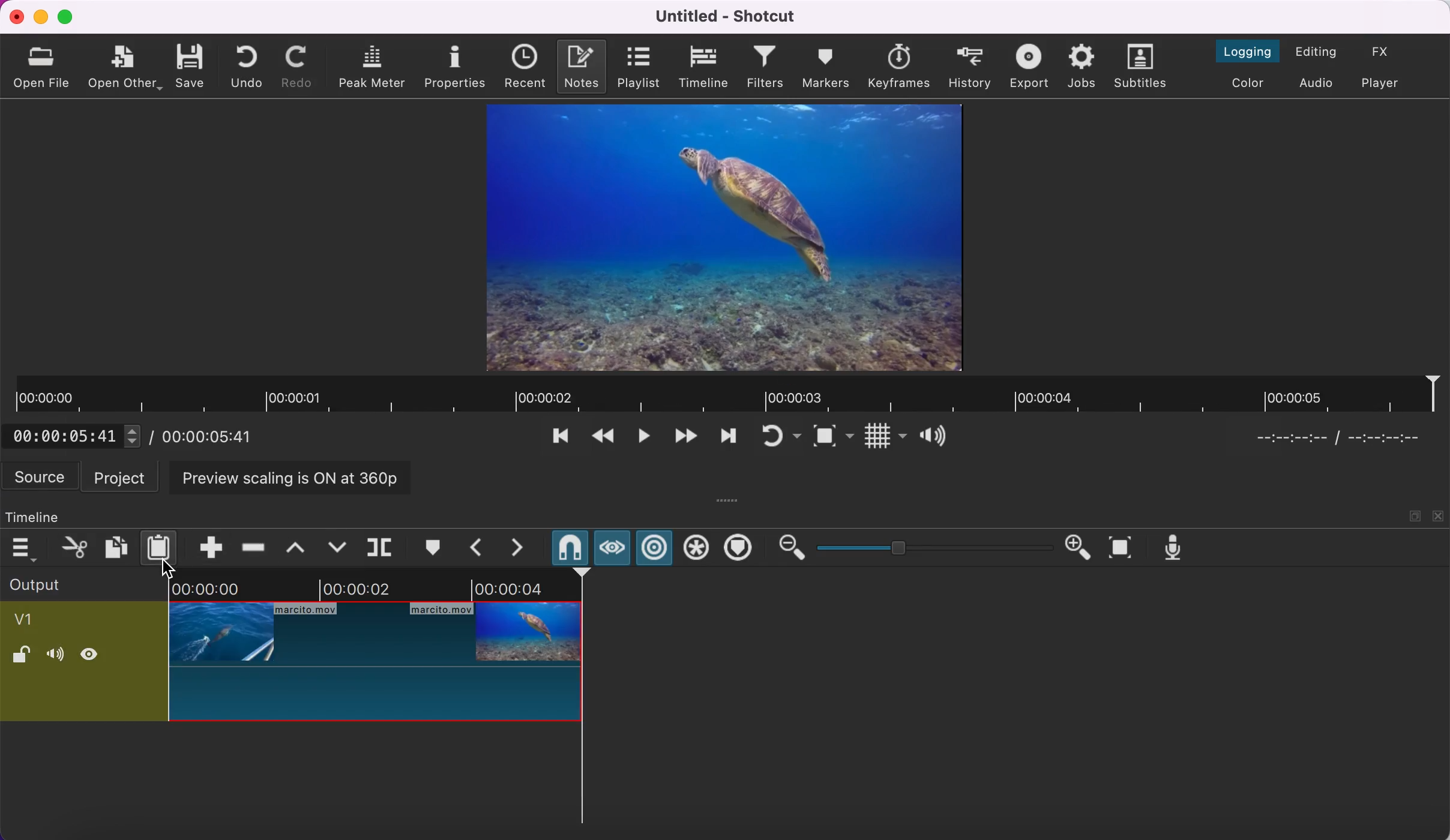 This screenshot has width=1450, height=840. Describe the element at coordinates (126, 68) in the screenshot. I see `open other` at that location.